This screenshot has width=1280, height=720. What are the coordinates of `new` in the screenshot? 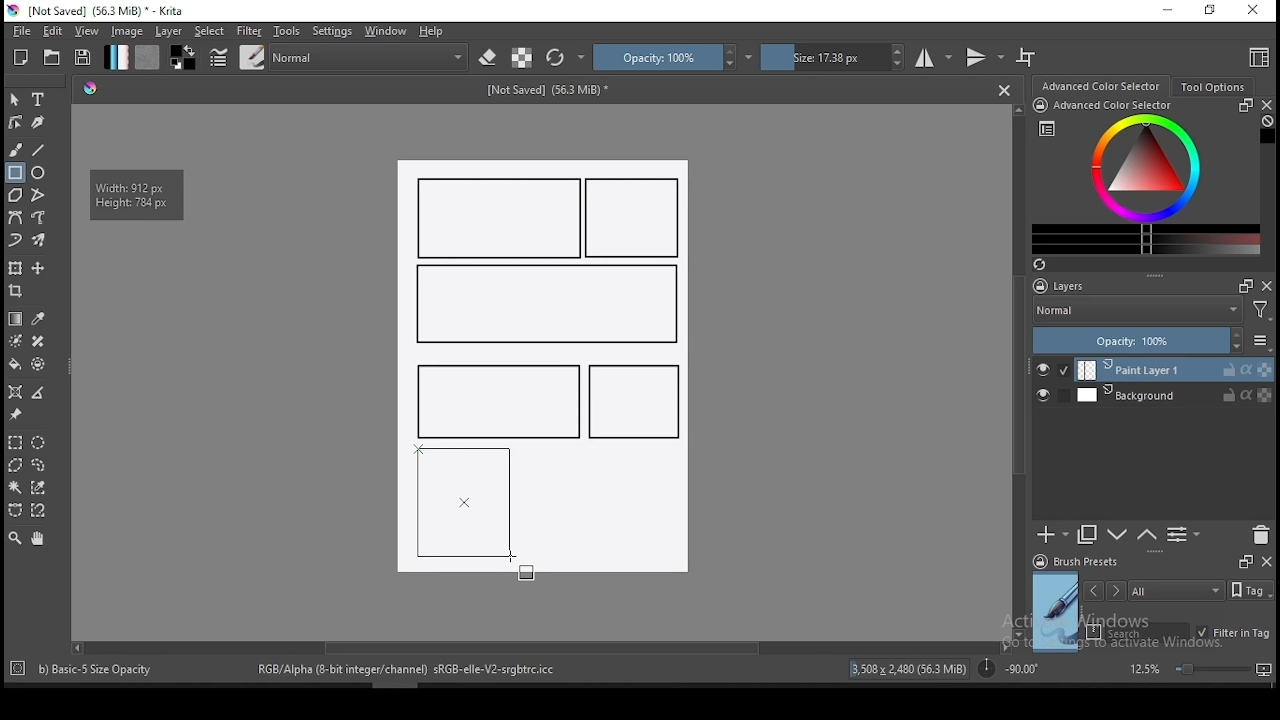 It's located at (21, 57).